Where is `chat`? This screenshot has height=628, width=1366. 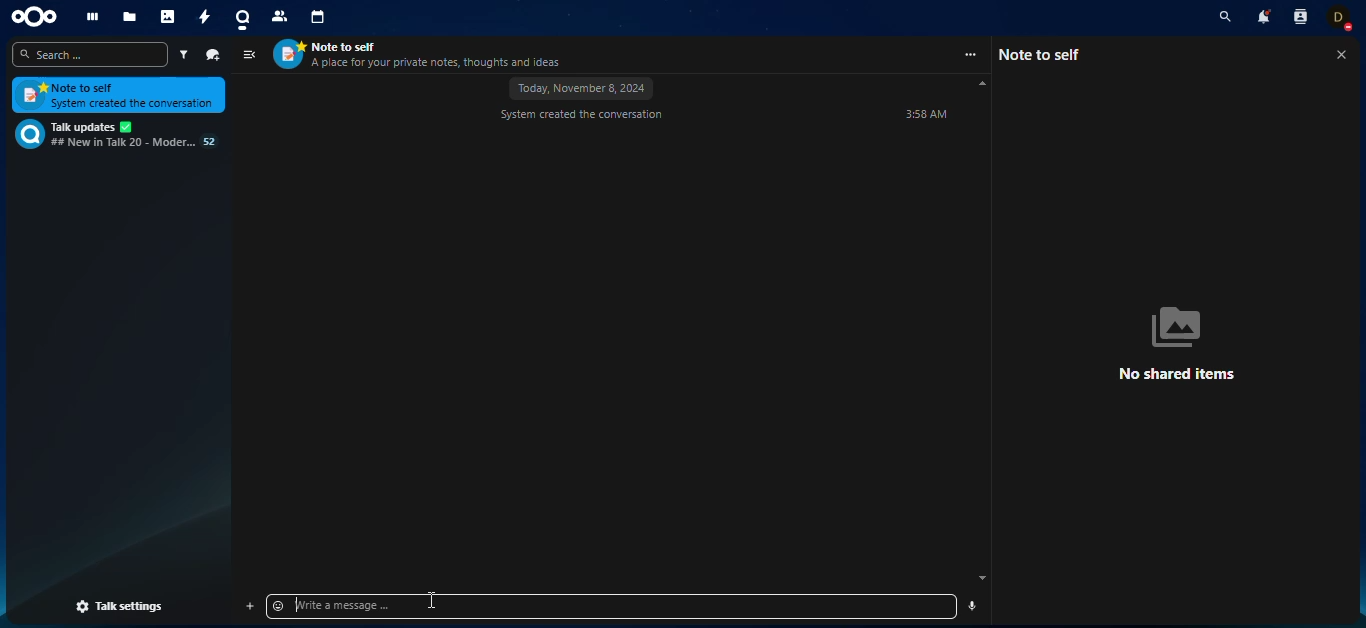 chat is located at coordinates (114, 134).